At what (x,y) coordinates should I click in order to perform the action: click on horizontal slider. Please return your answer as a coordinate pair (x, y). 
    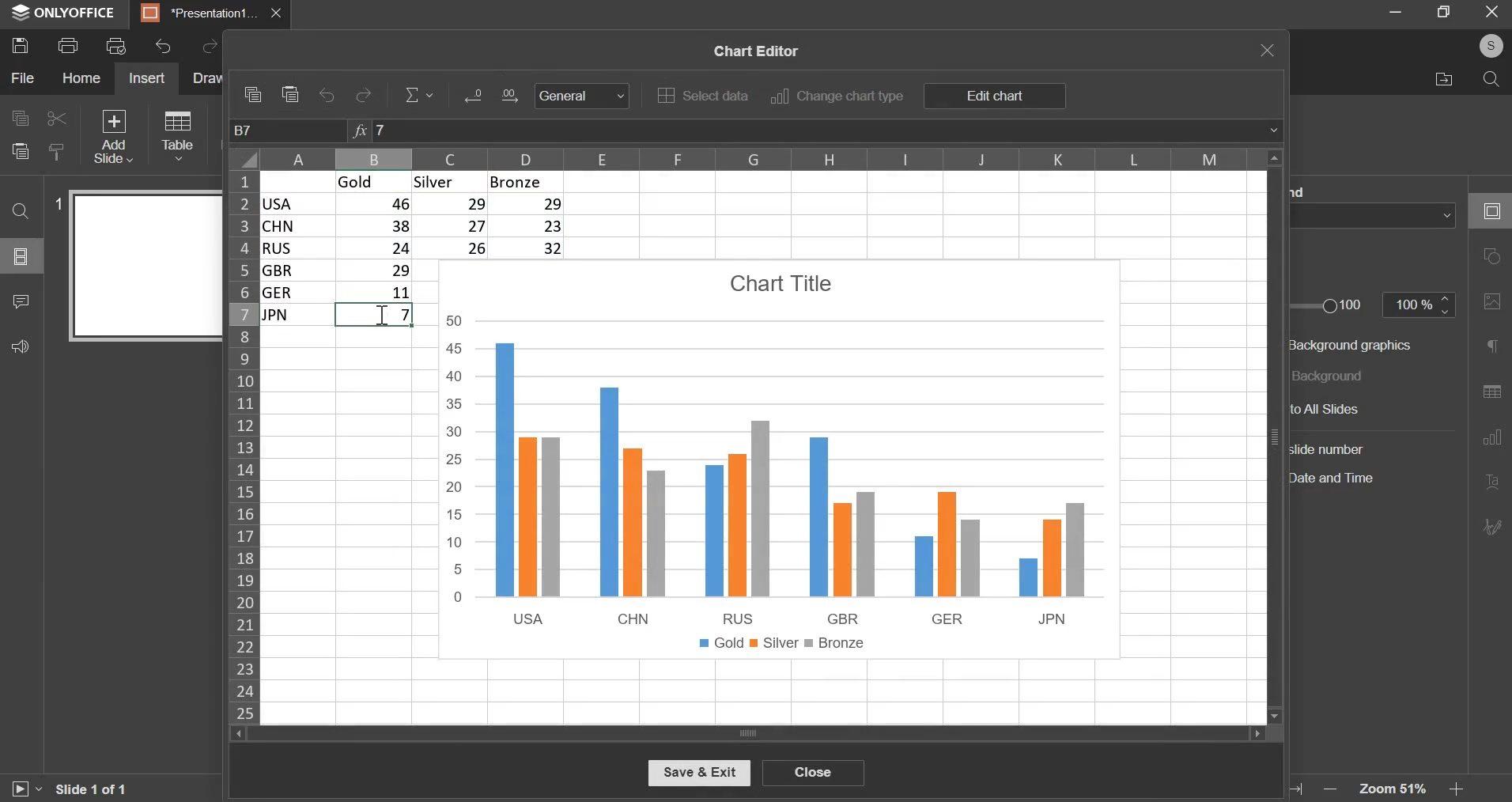
    Looking at the image, I should click on (747, 733).